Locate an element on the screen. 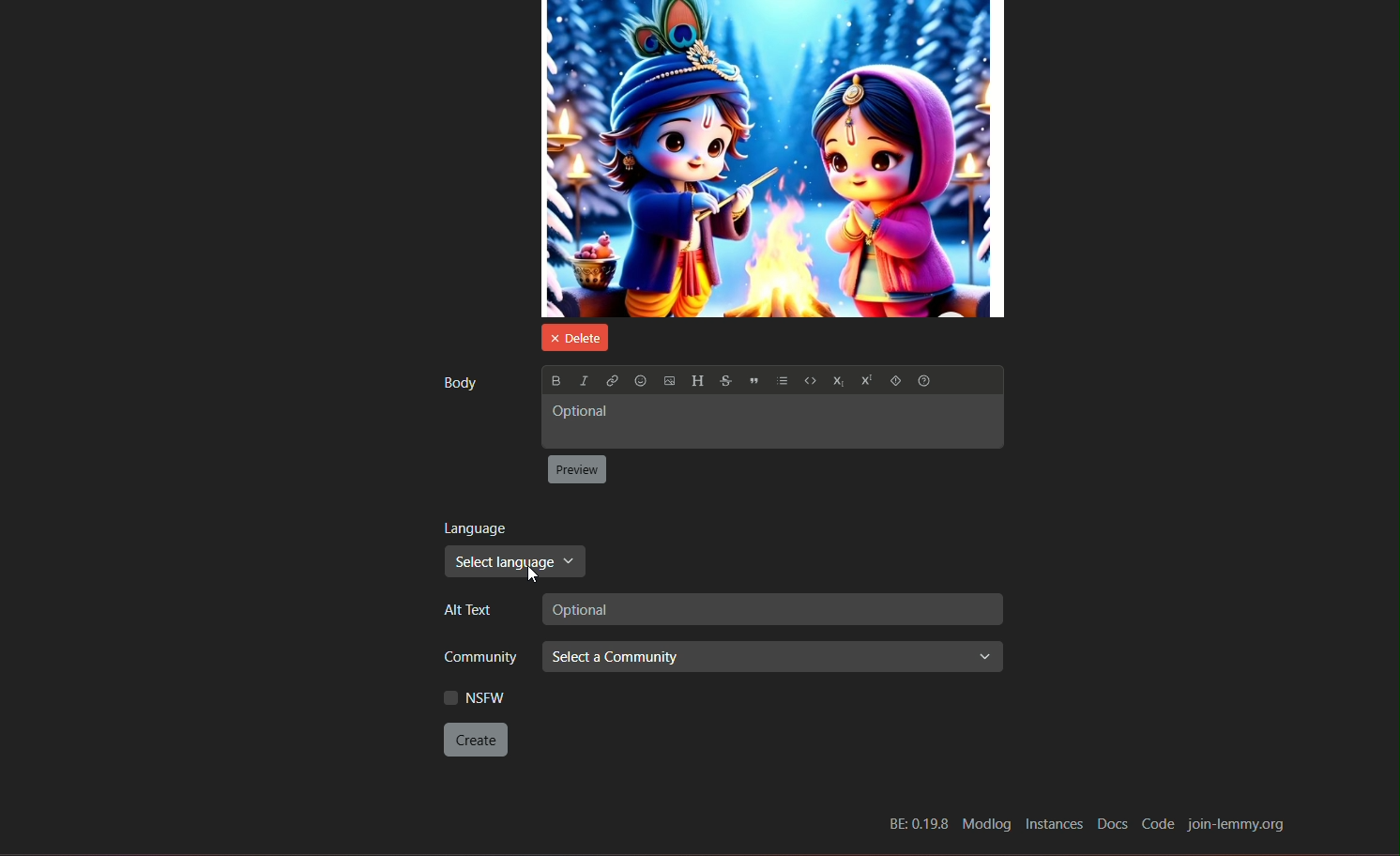 Image resolution: width=1400 pixels, height=856 pixels. superscript is located at coordinates (864, 382).